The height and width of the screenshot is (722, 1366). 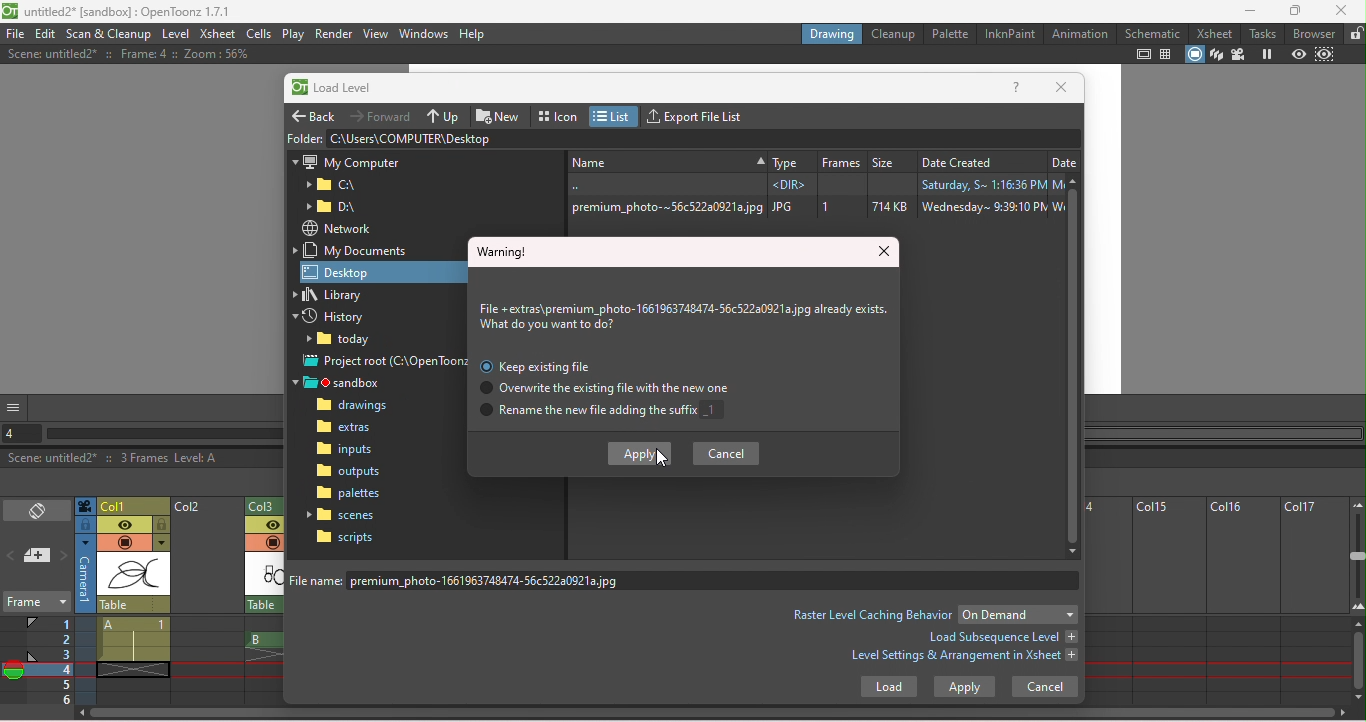 I want to click on My computer, so click(x=346, y=160).